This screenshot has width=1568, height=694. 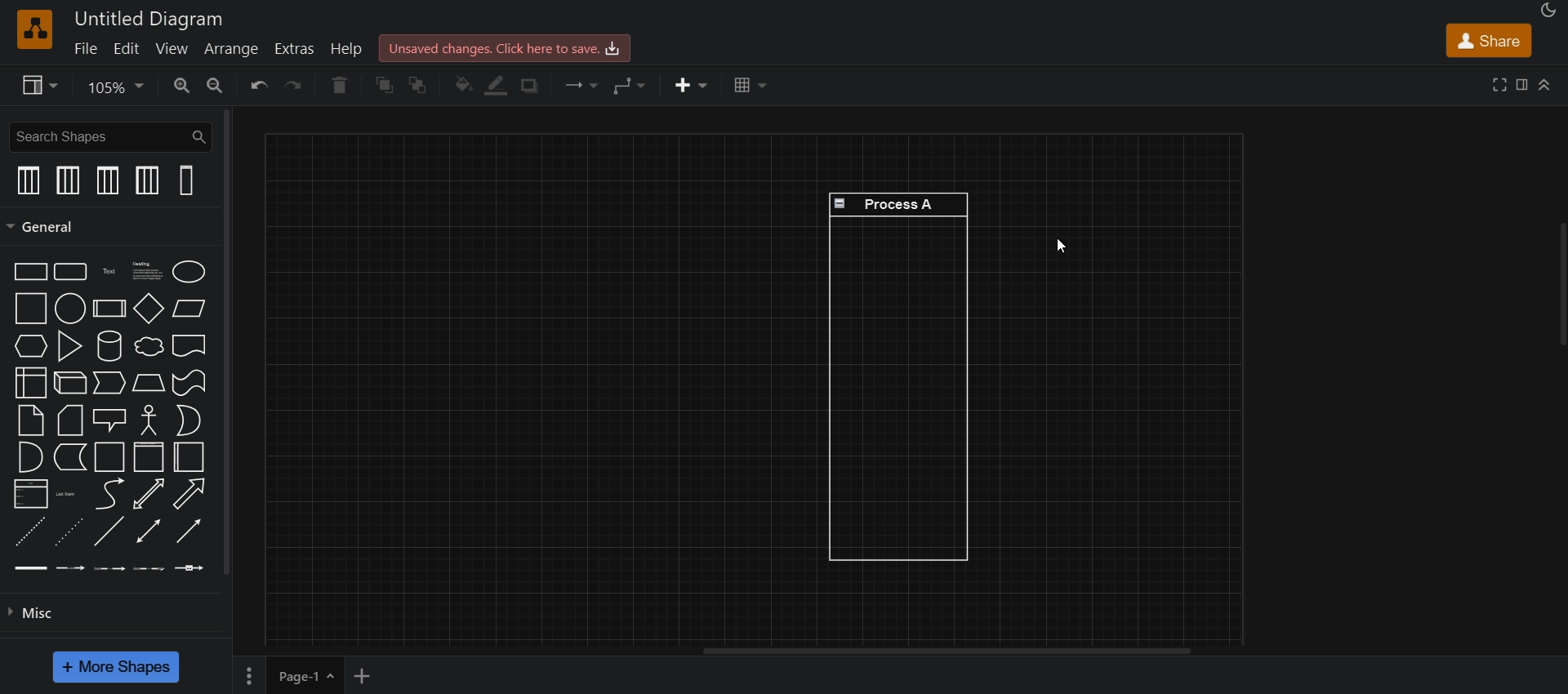 I want to click on tape, so click(x=189, y=385).